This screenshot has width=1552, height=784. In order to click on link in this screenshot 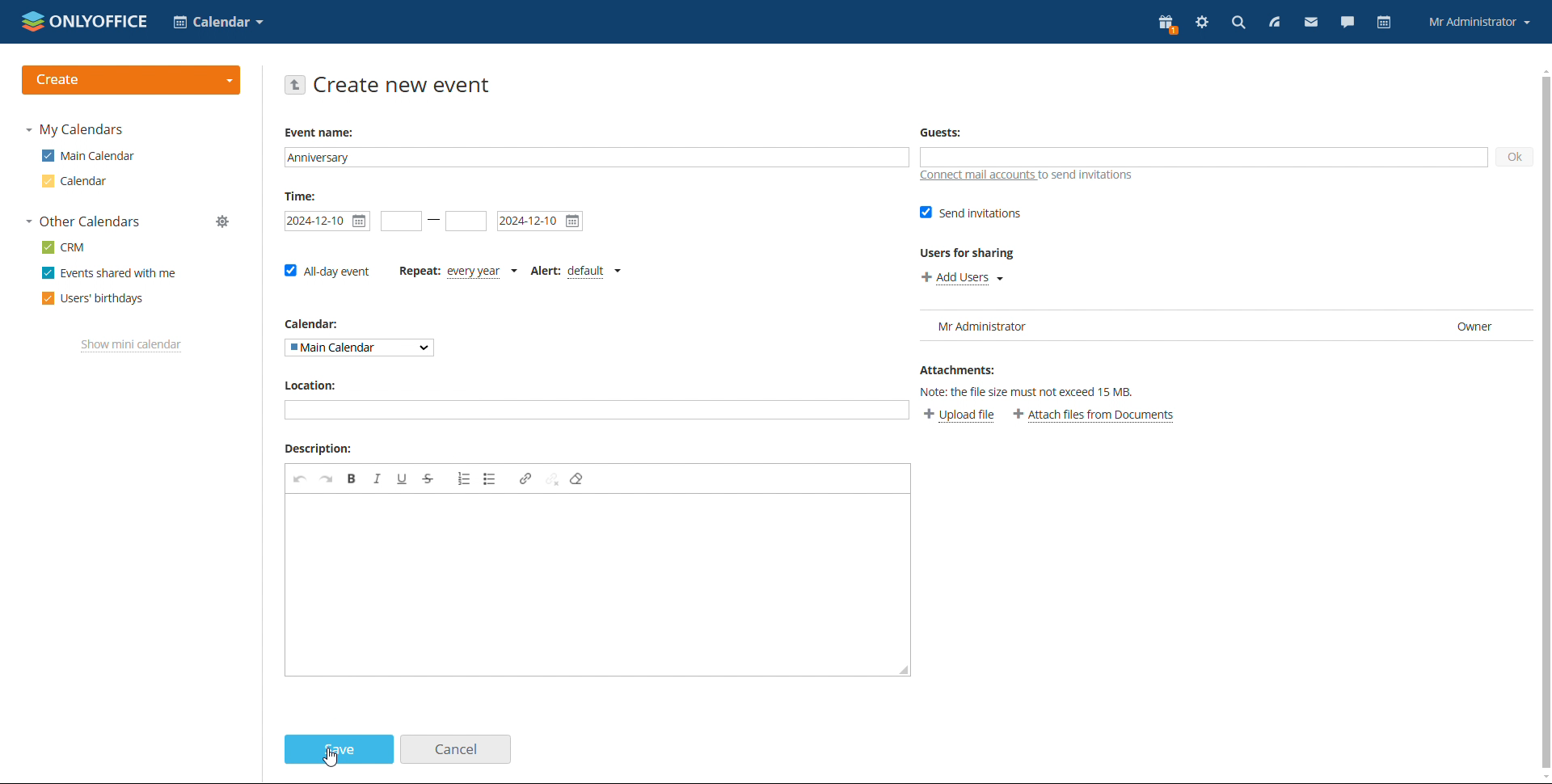, I will do `click(526, 478)`.